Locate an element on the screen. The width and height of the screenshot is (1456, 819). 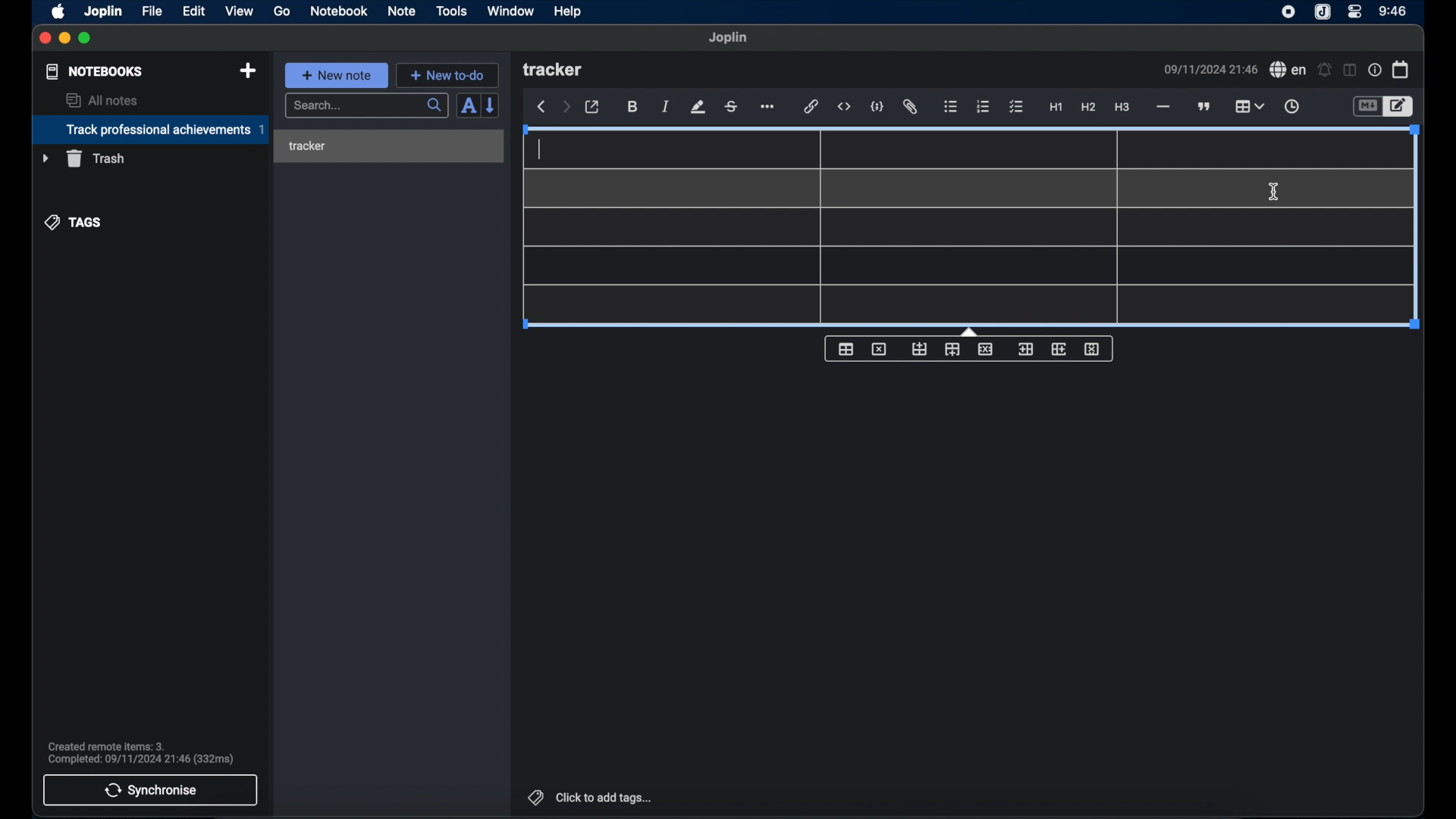
click to add tags is located at coordinates (588, 797).